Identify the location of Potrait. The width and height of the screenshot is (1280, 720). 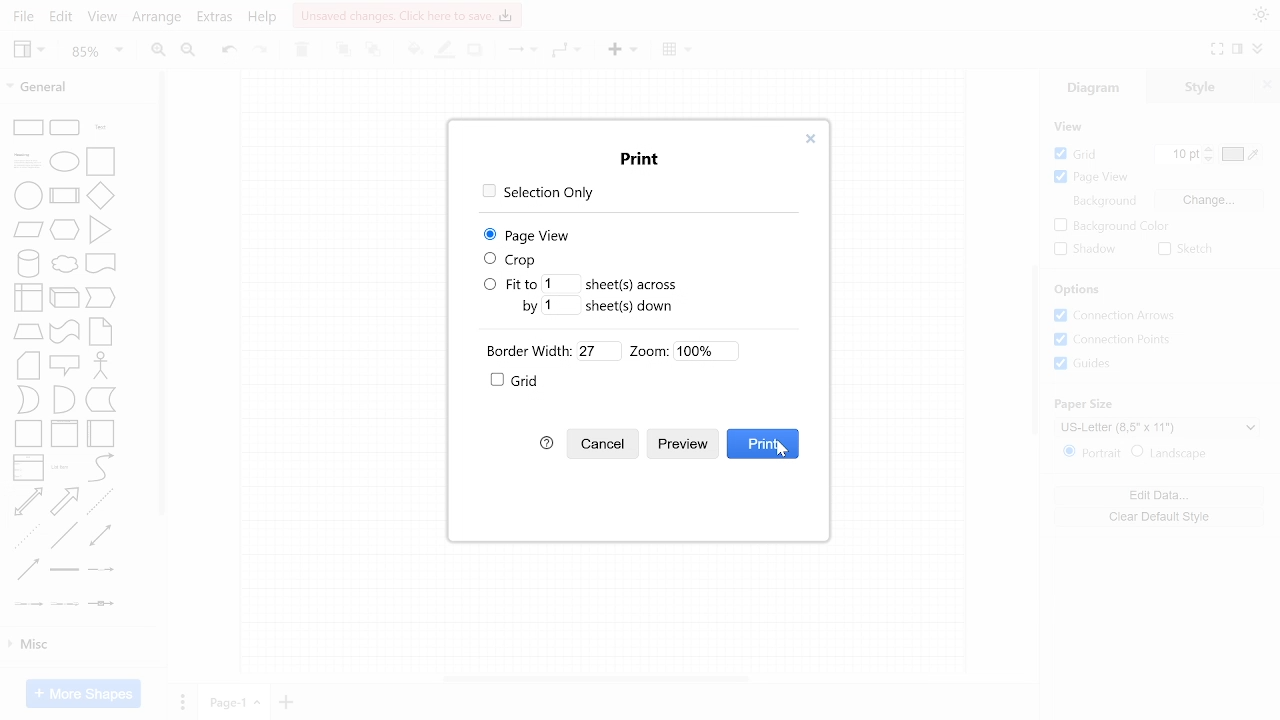
(1092, 452).